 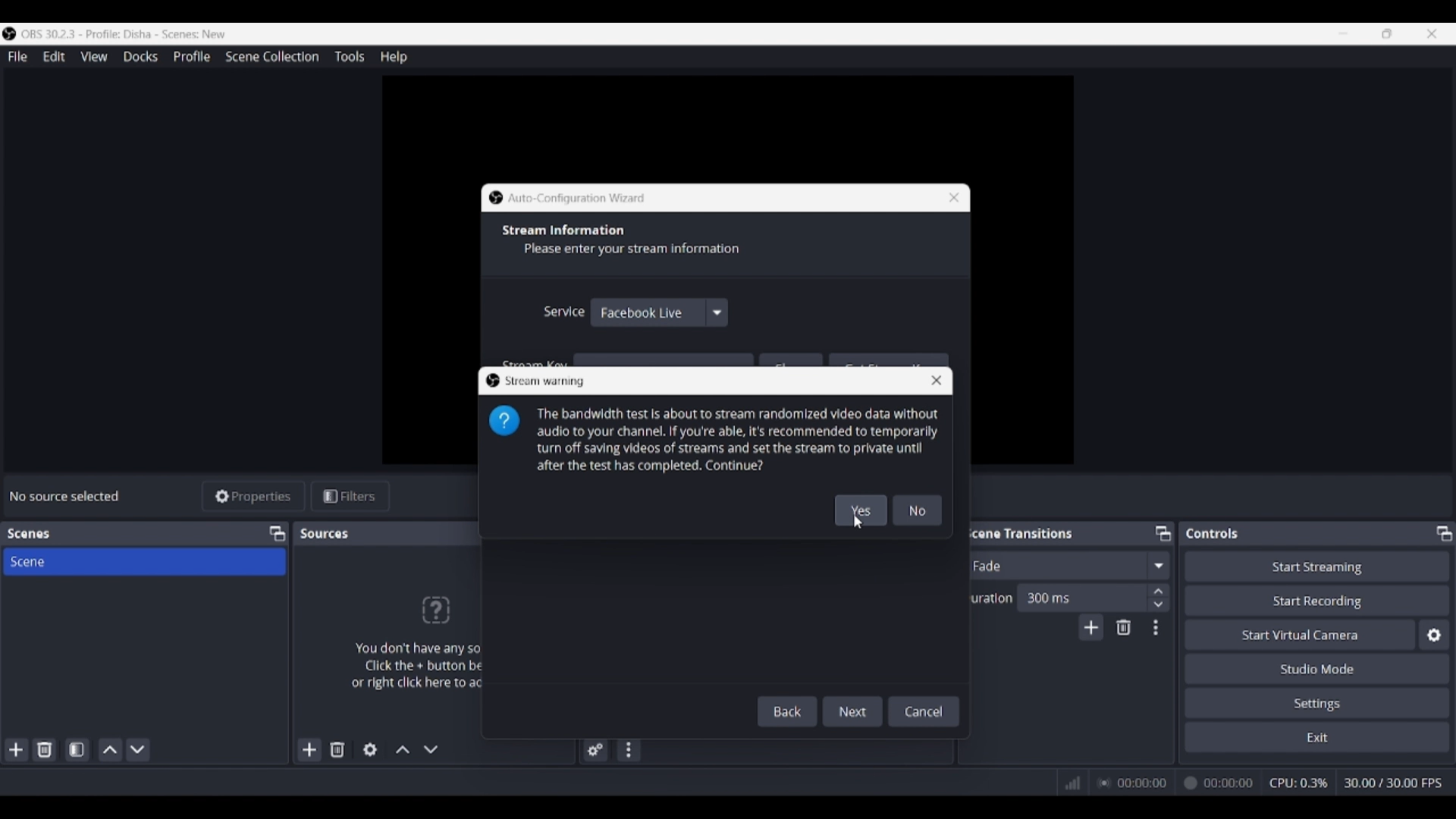 What do you see at coordinates (137, 750) in the screenshot?
I see `Move scene down` at bounding box center [137, 750].